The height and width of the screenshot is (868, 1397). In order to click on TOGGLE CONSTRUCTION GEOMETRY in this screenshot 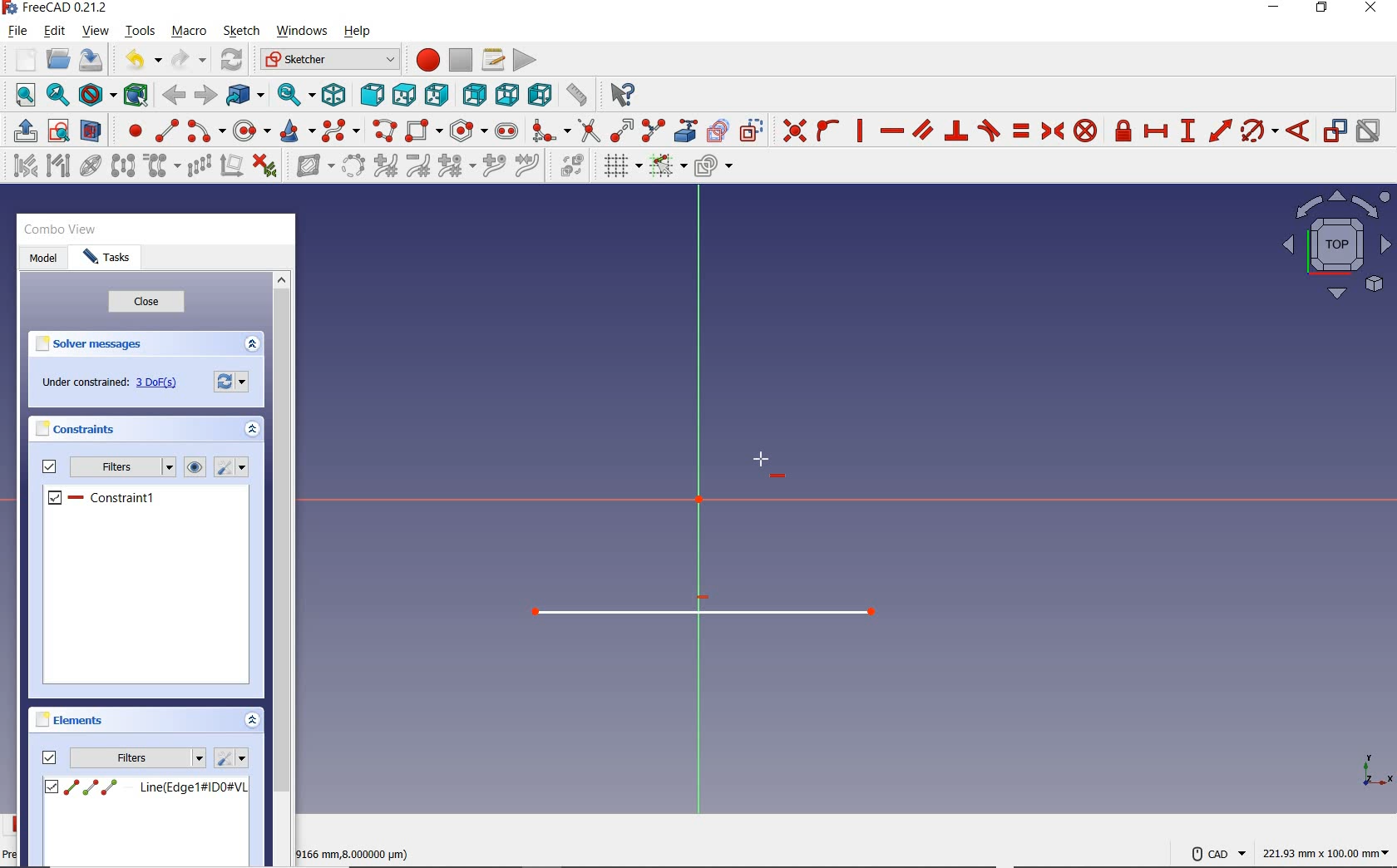, I will do `click(754, 131)`.